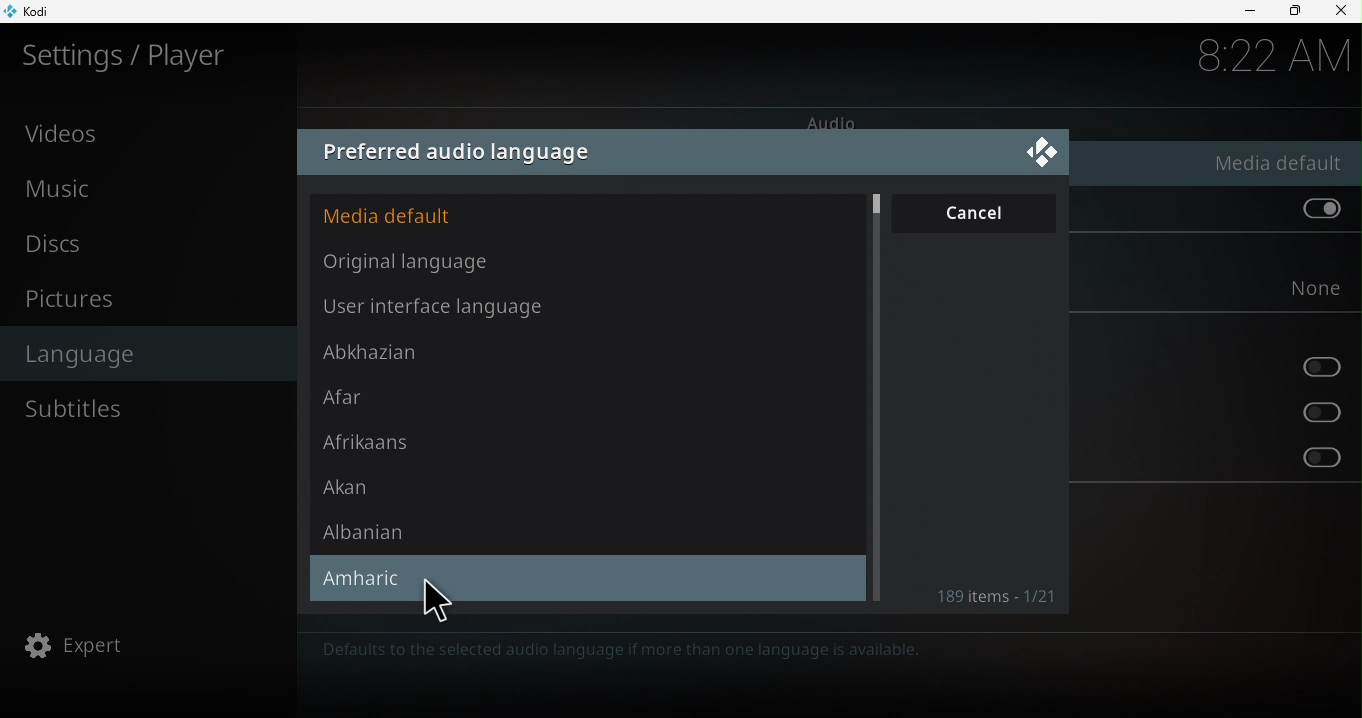 The height and width of the screenshot is (718, 1362). I want to click on Afar, so click(577, 402).